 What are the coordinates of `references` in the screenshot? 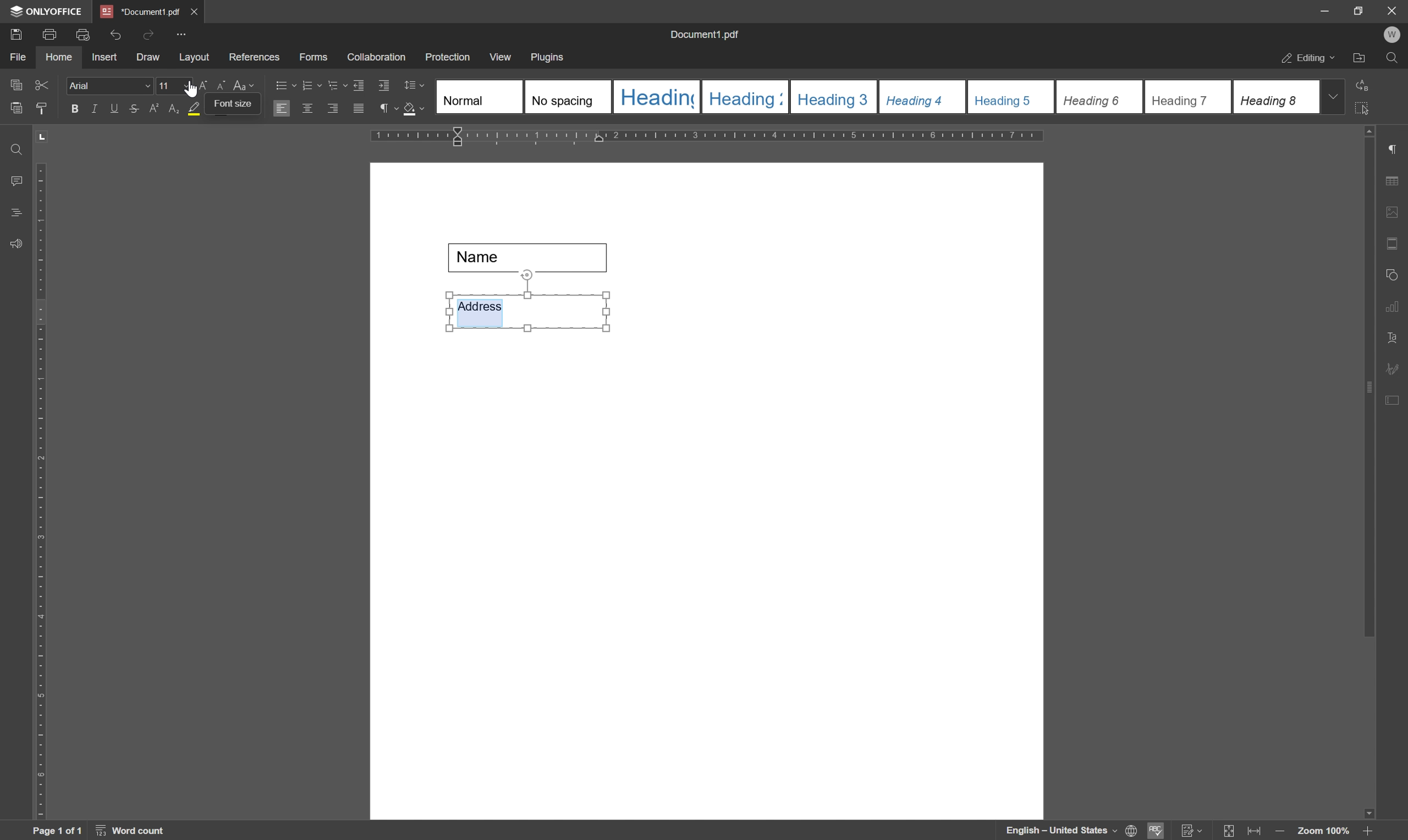 It's located at (254, 57).